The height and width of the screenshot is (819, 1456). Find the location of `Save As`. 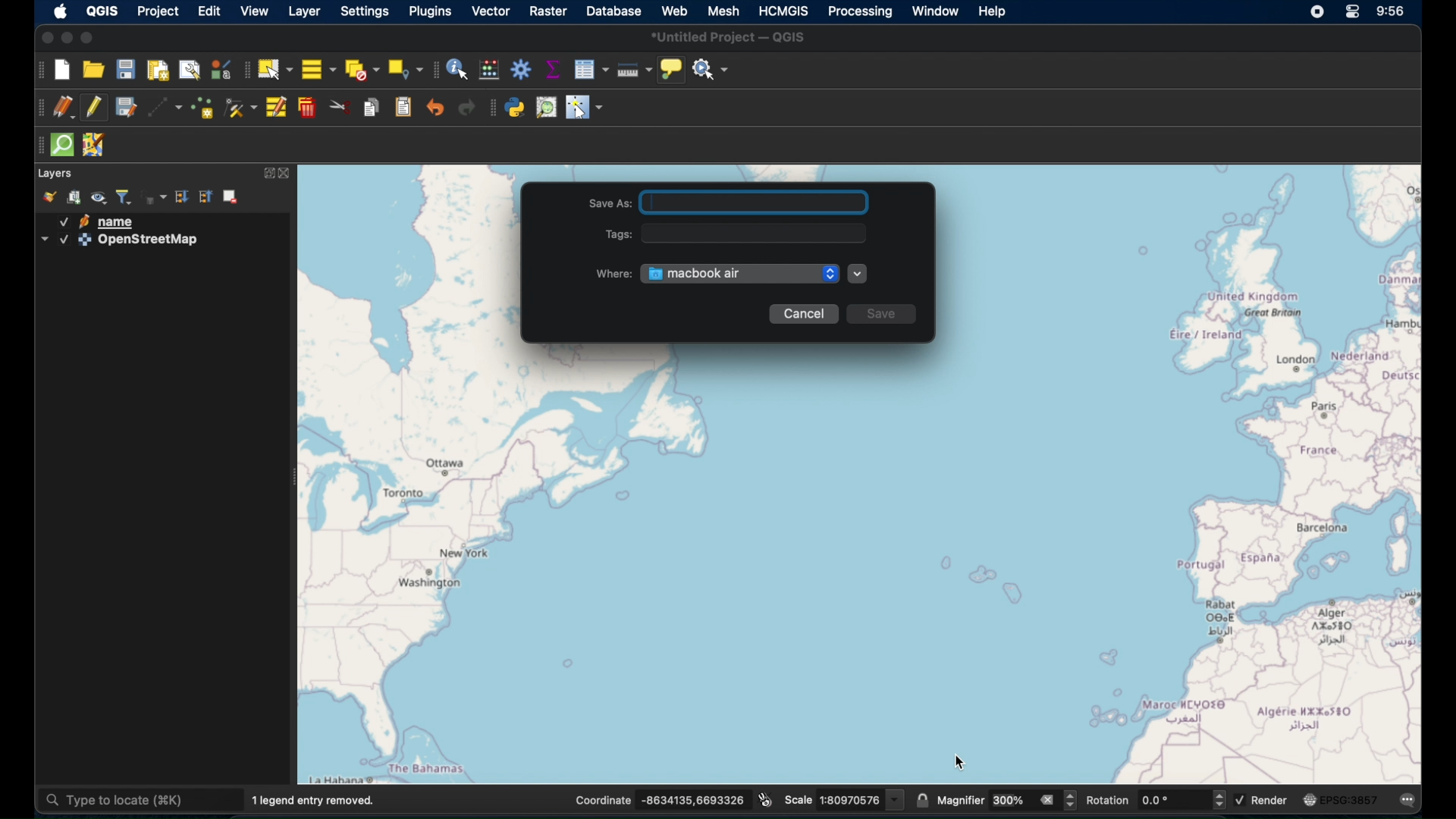

Save As is located at coordinates (731, 202).